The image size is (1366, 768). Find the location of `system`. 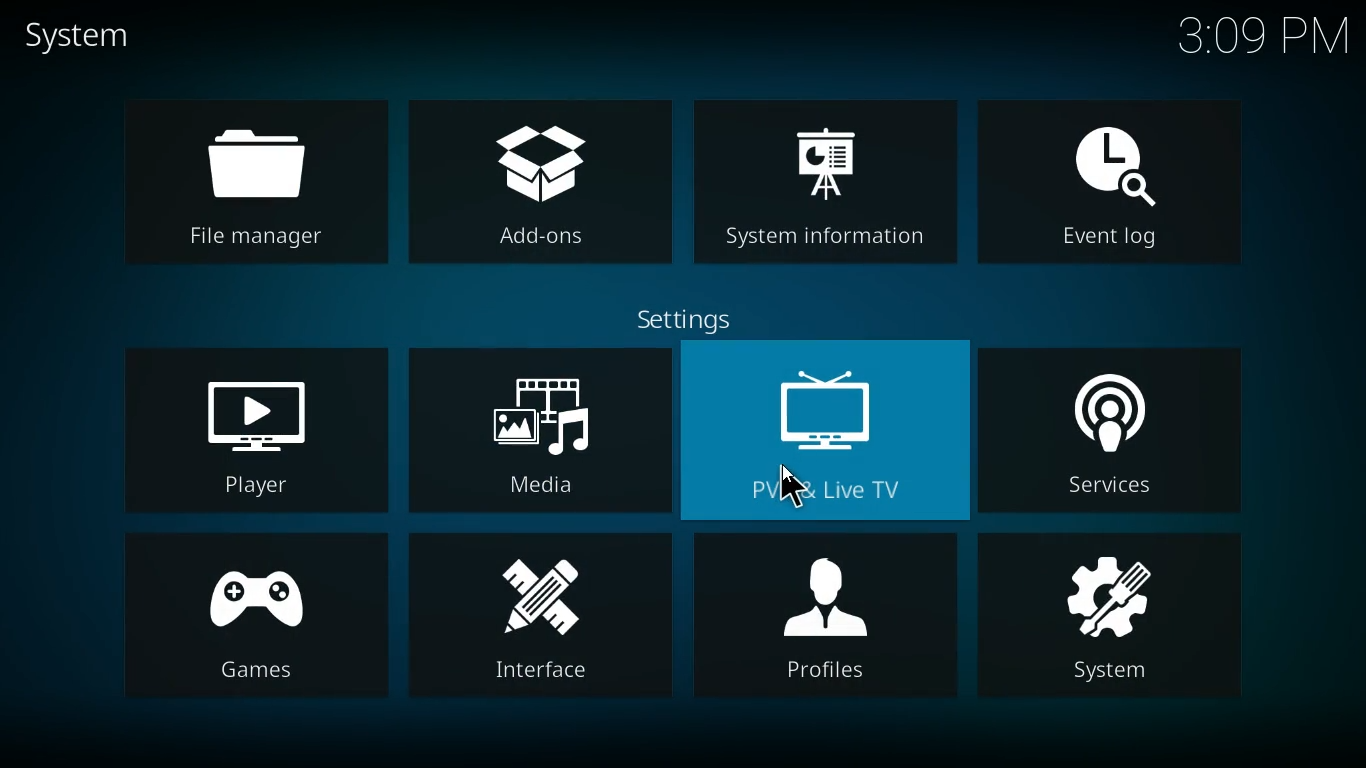

system is located at coordinates (1114, 613).